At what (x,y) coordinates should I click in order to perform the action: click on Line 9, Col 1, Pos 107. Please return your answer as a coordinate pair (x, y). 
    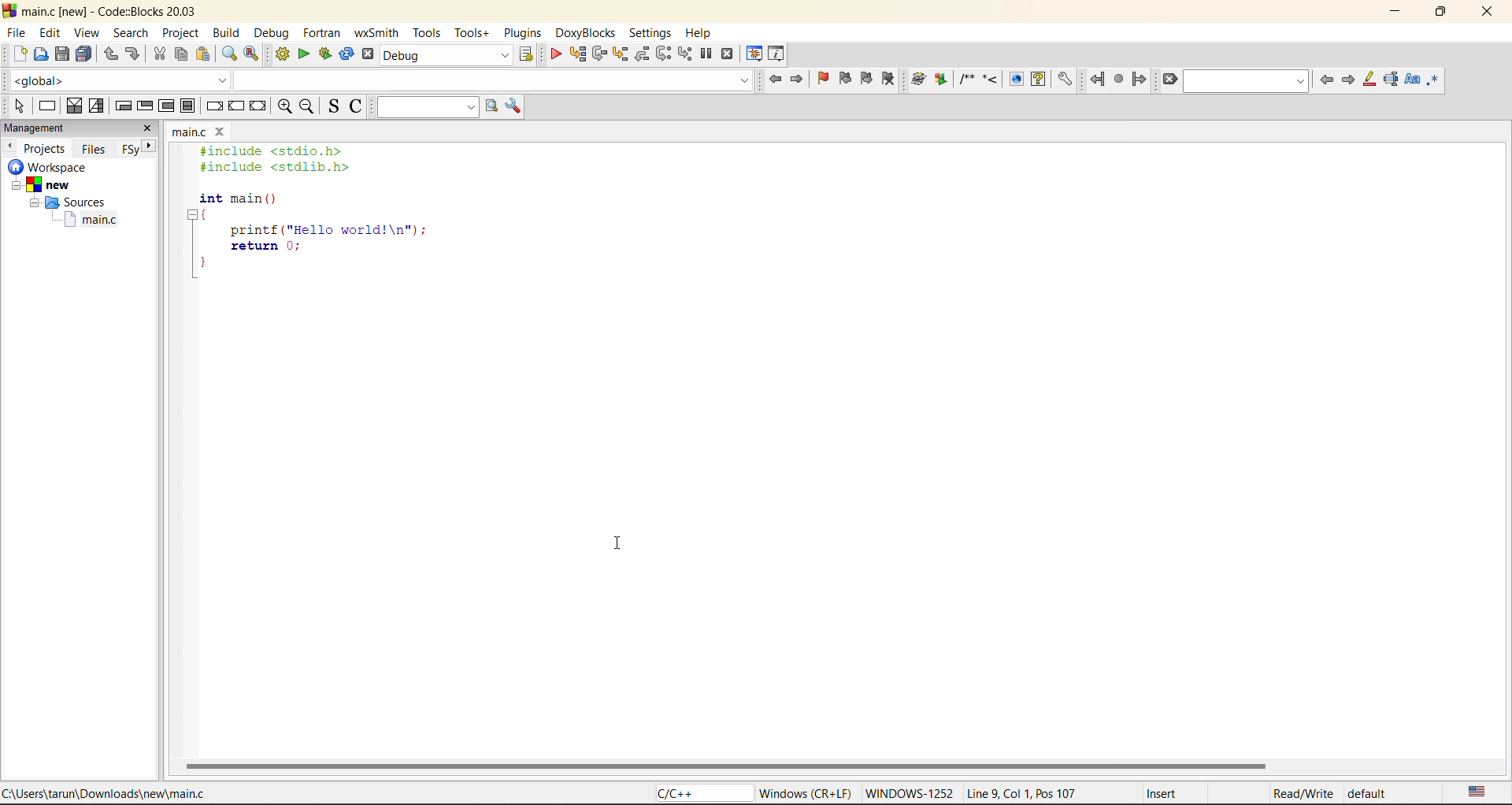
    Looking at the image, I should click on (1044, 792).